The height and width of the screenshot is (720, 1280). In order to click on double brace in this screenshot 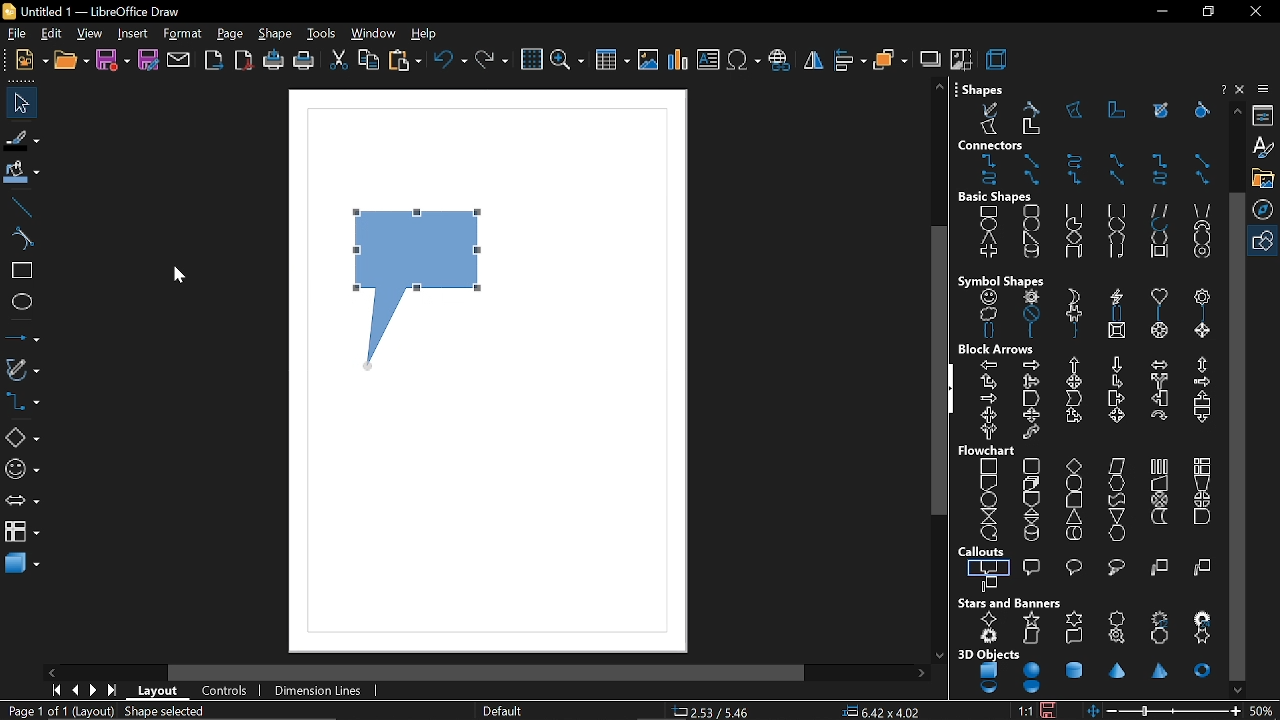, I will do `click(988, 332)`.